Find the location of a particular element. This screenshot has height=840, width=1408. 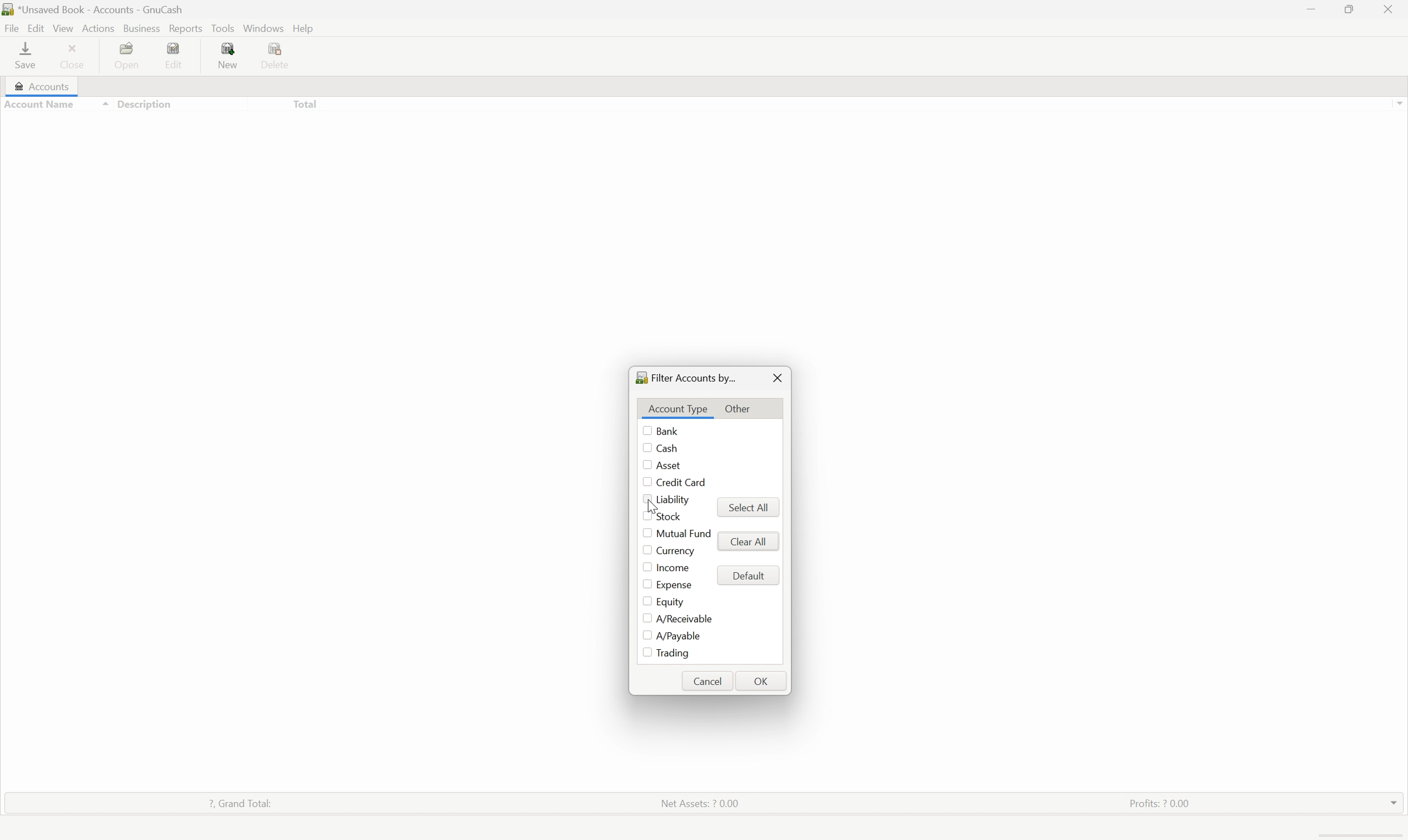

Close is located at coordinates (76, 54).